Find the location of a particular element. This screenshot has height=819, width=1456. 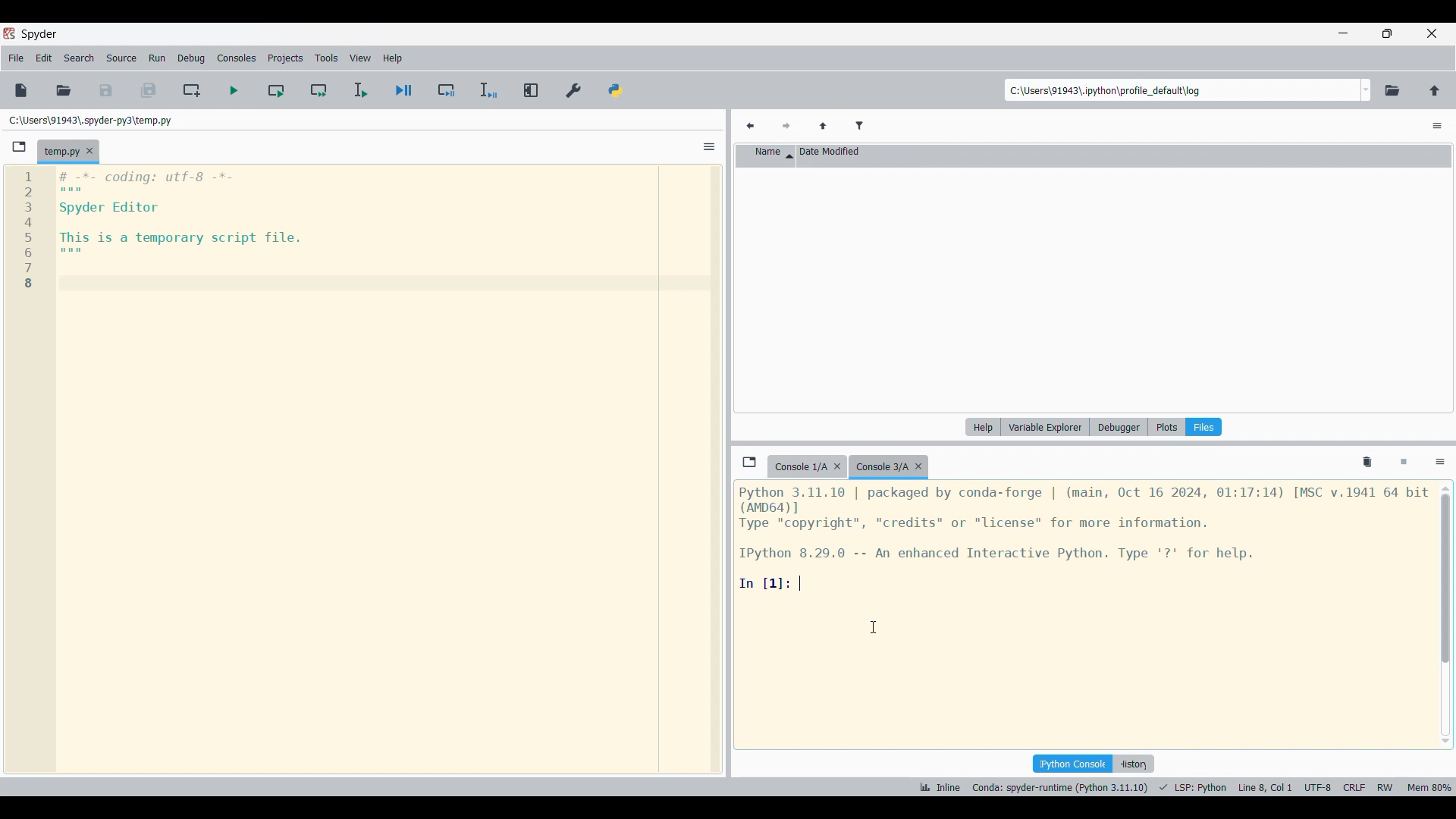

Tools menu is located at coordinates (327, 58).